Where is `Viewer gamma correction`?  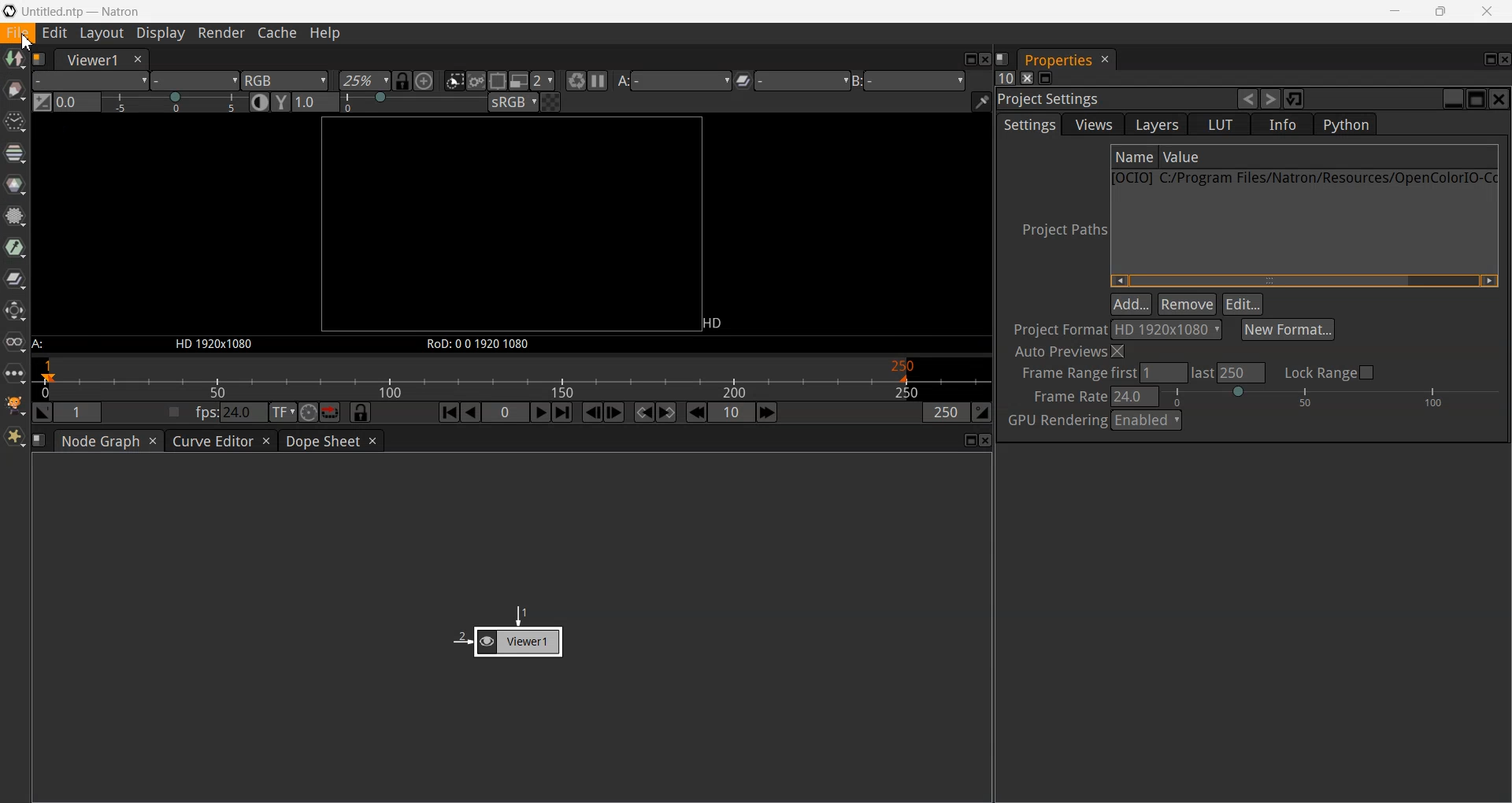 Viewer gamma correction is located at coordinates (282, 102).